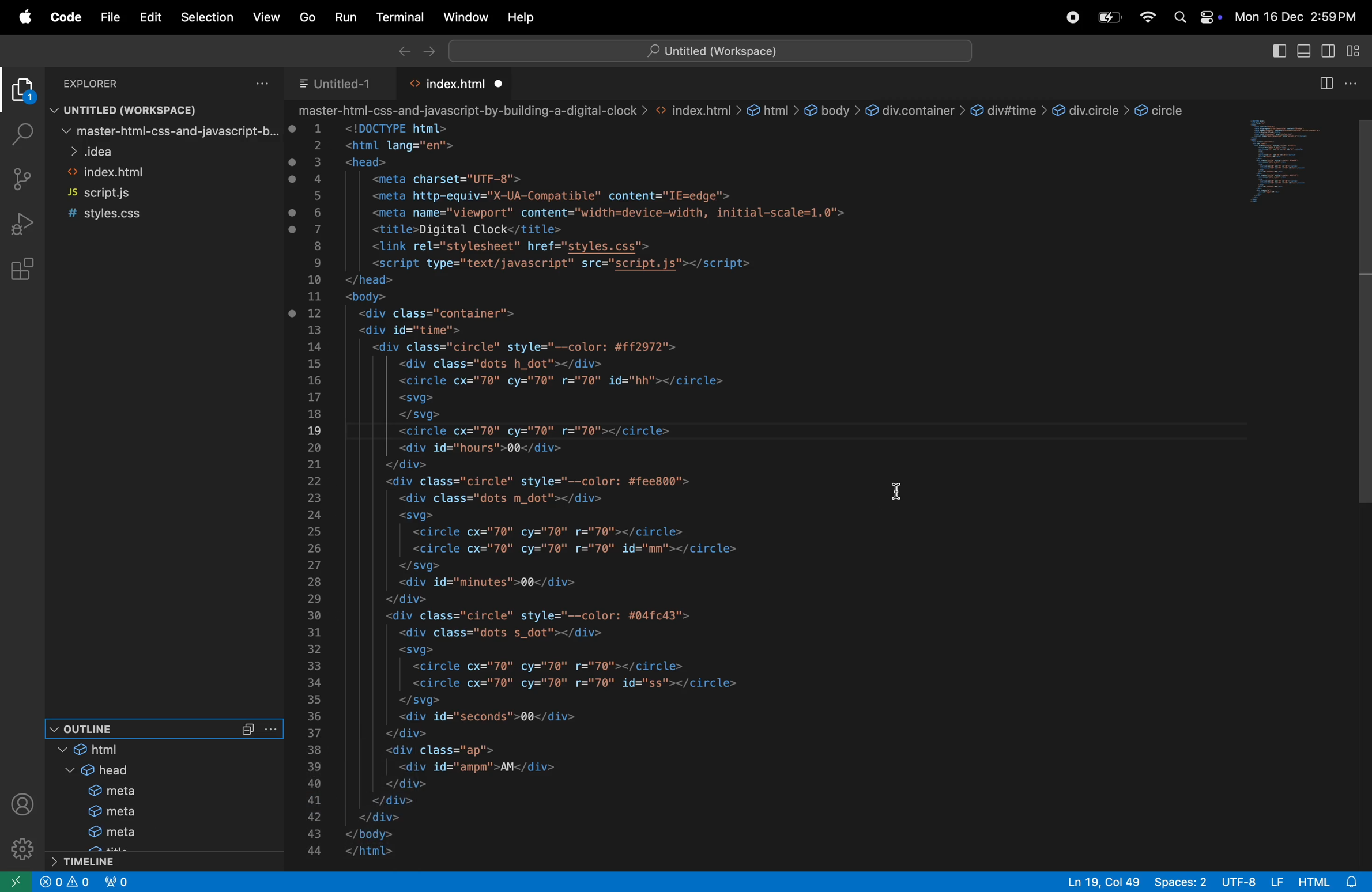 The image size is (1372, 892). What do you see at coordinates (167, 861) in the screenshot?
I see `timeline` at bounding box center [167, 861].